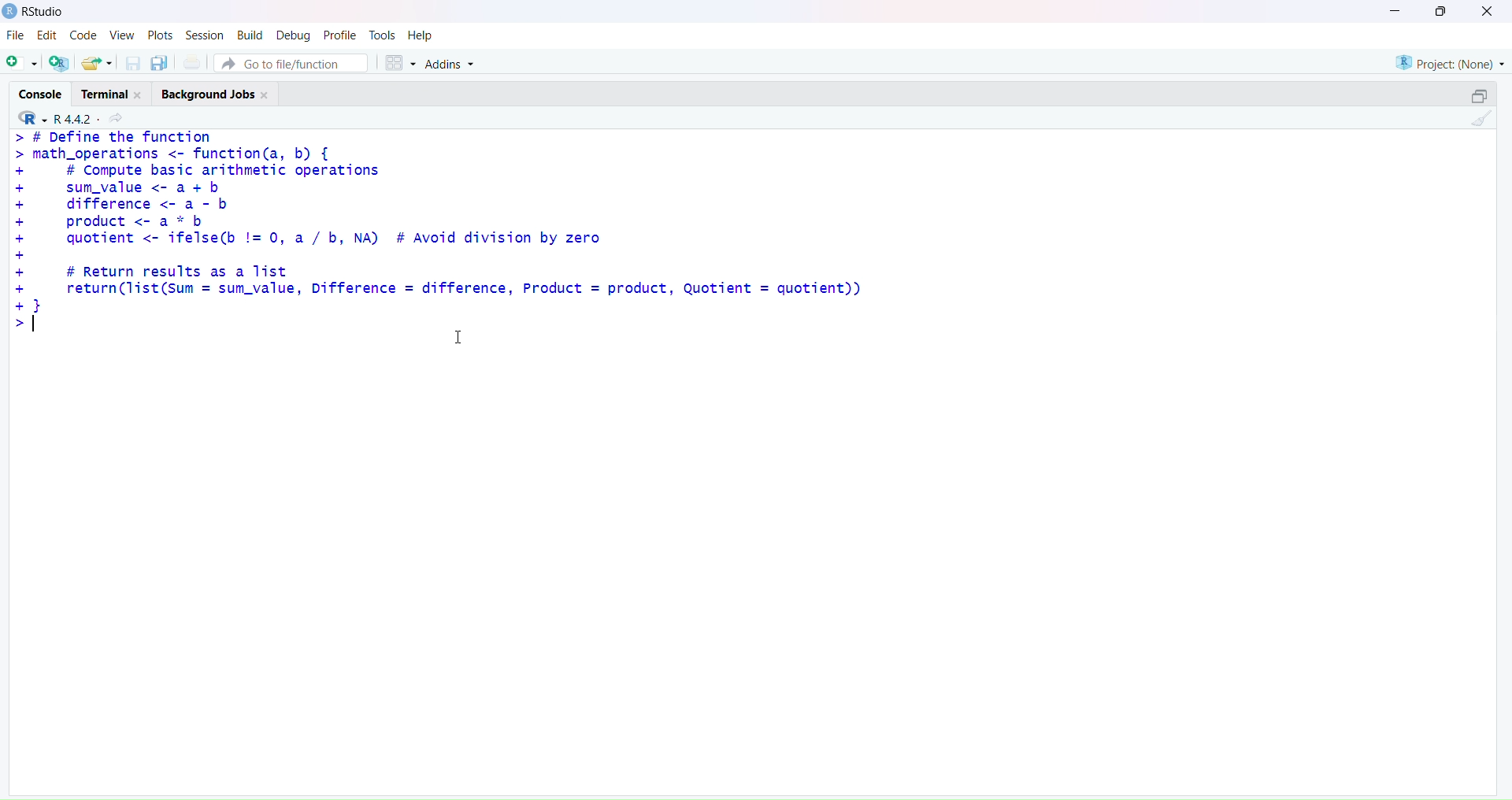 Image resolution: width=1512 pixels, height=800 pixels. What do you see at coordinates (1396, 9) in the screenshot?
I see `Minimize` at bounding box center [1396, 9].